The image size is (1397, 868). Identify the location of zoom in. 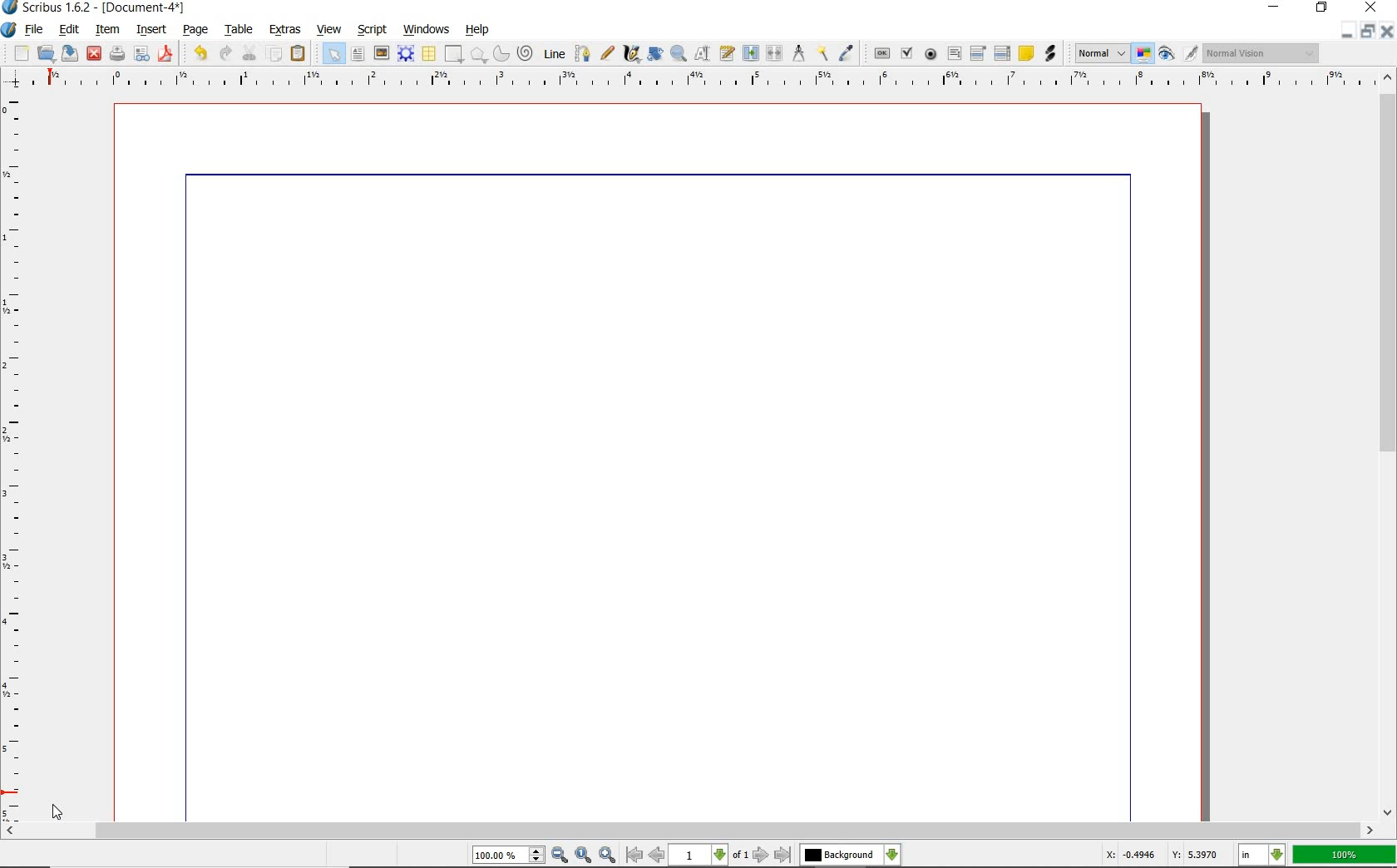
(607, 854).